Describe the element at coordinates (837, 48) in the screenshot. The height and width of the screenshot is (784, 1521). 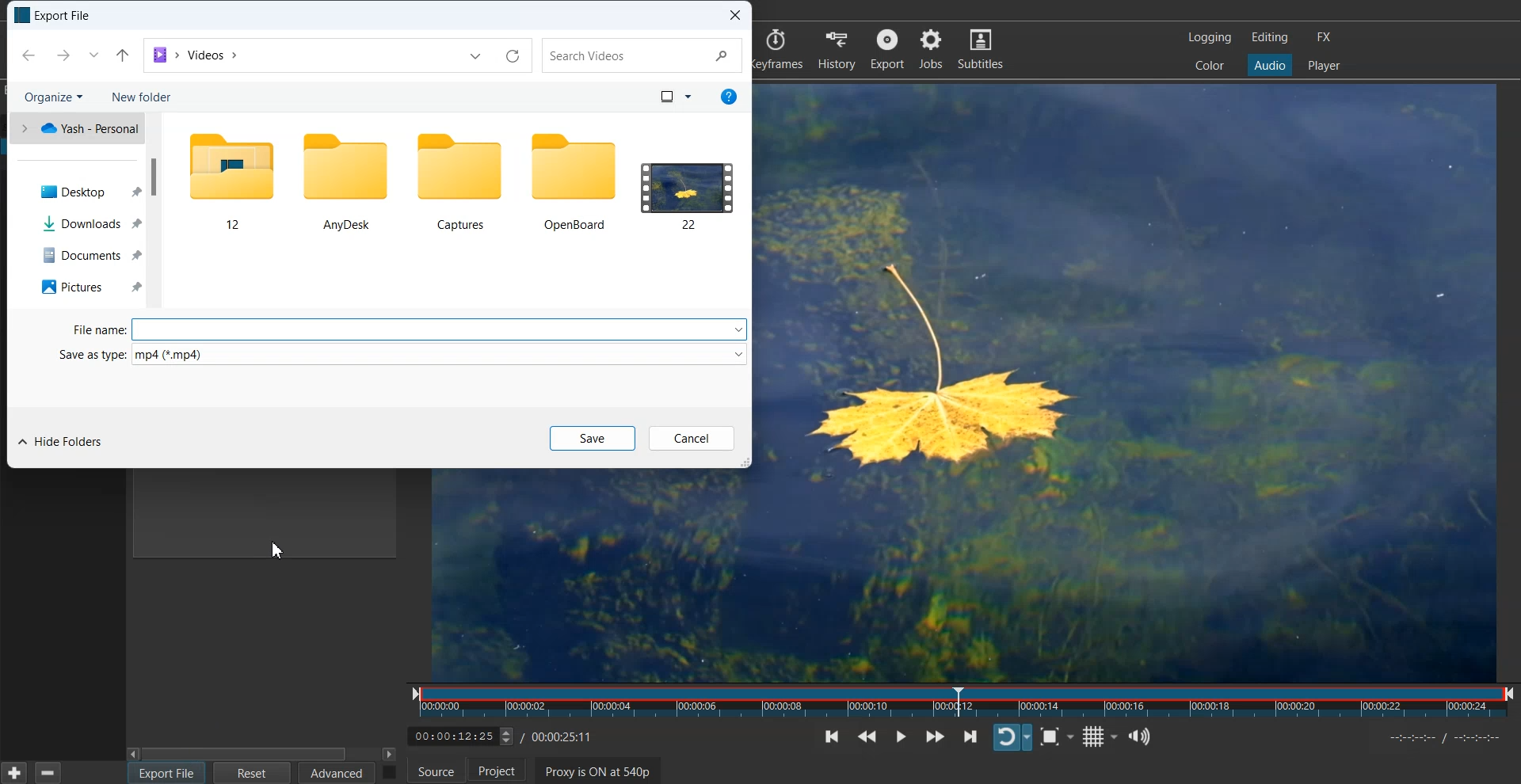
I see `History` at that location.